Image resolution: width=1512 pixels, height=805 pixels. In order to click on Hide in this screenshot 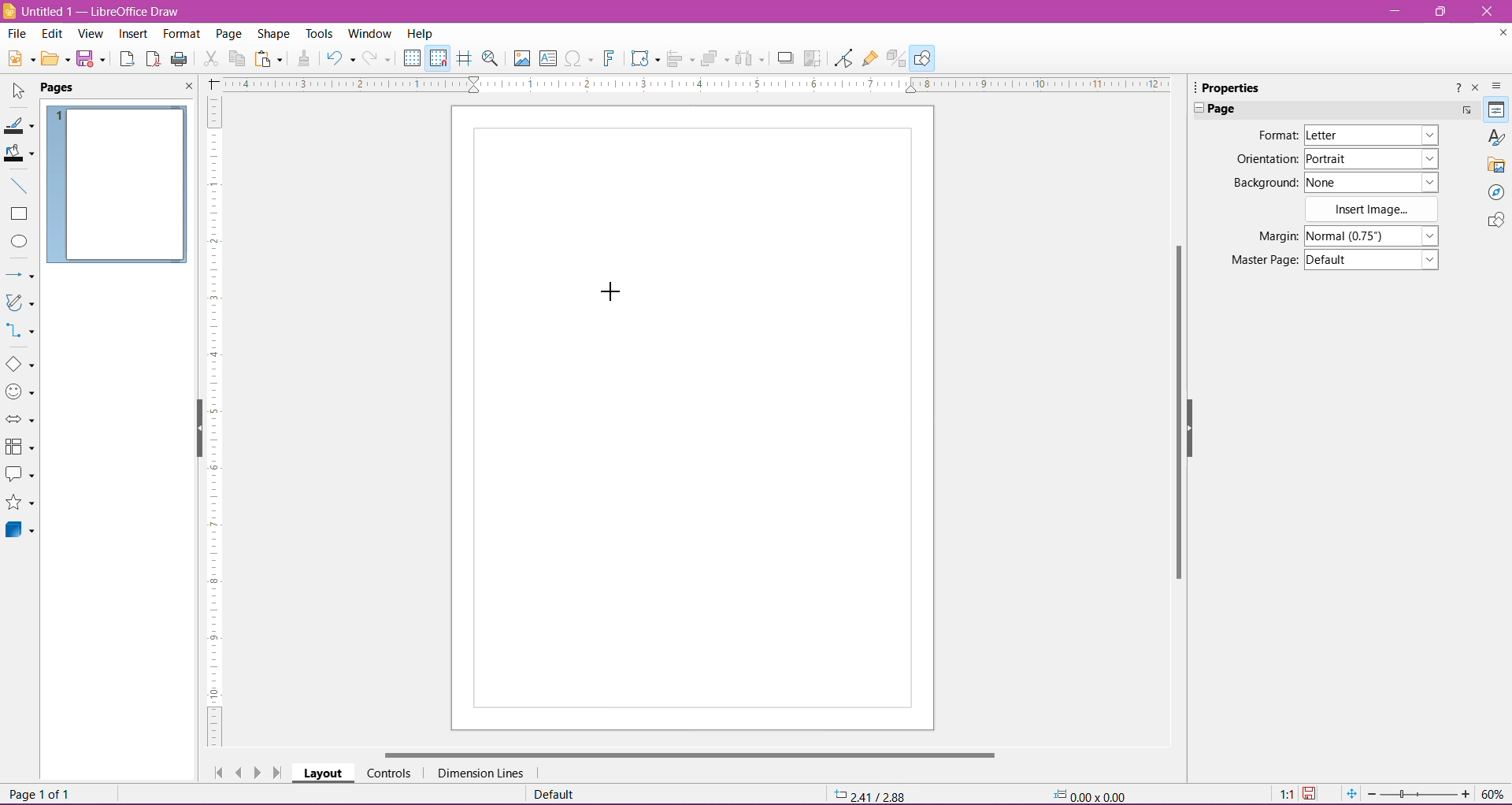, I will do `click(196, 429)`.